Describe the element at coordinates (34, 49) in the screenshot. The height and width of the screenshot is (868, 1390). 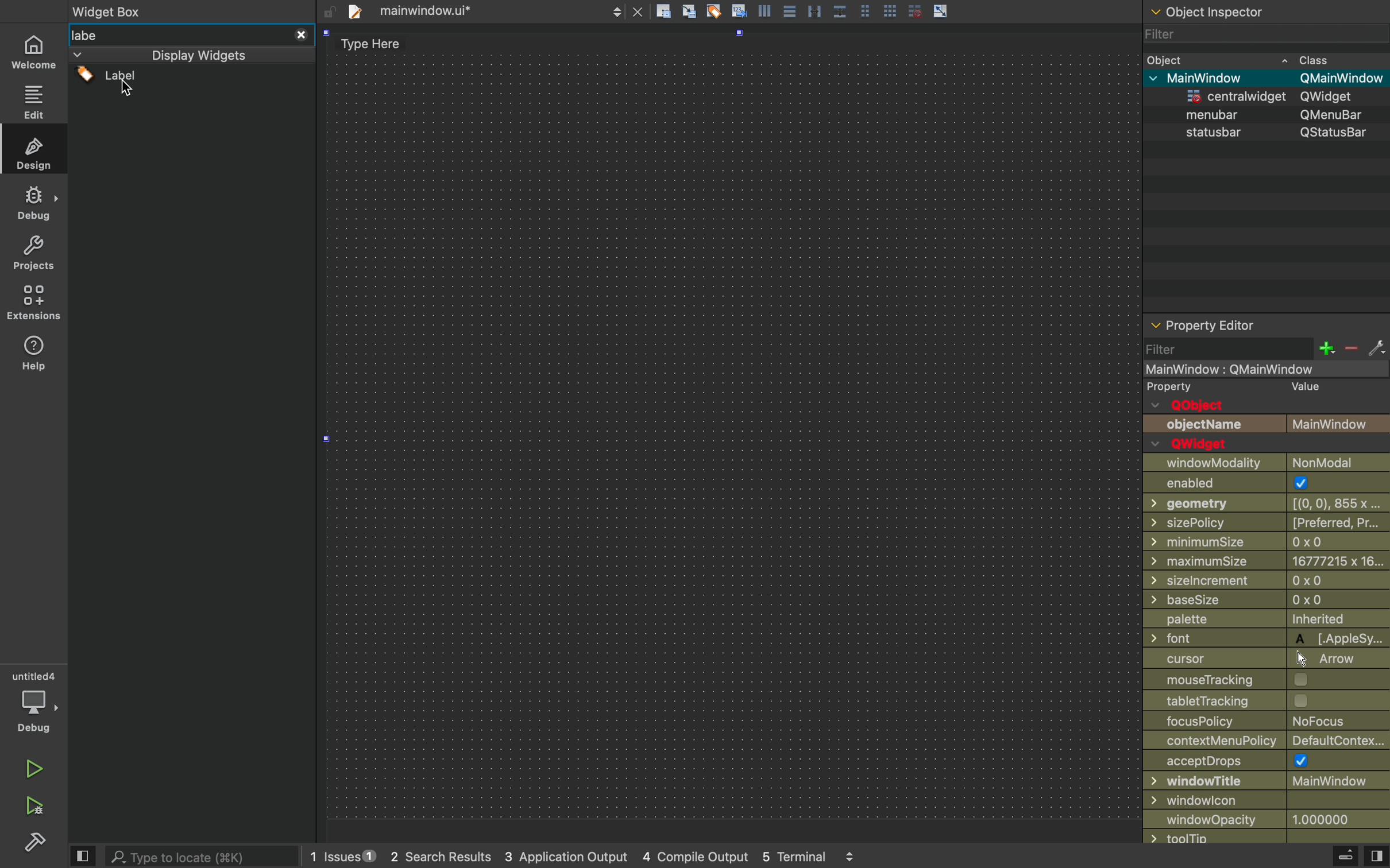
I see `home` at that location.